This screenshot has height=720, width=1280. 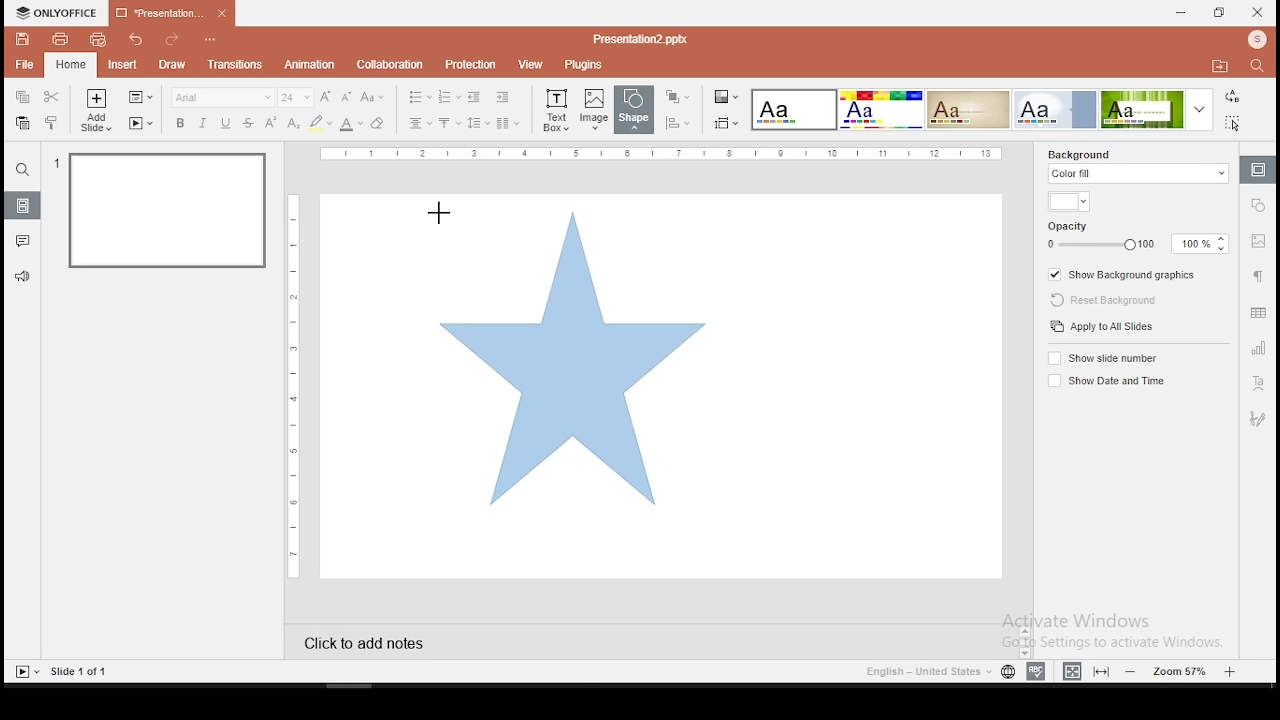 I want to click on language, so click(x=1008, y=674).